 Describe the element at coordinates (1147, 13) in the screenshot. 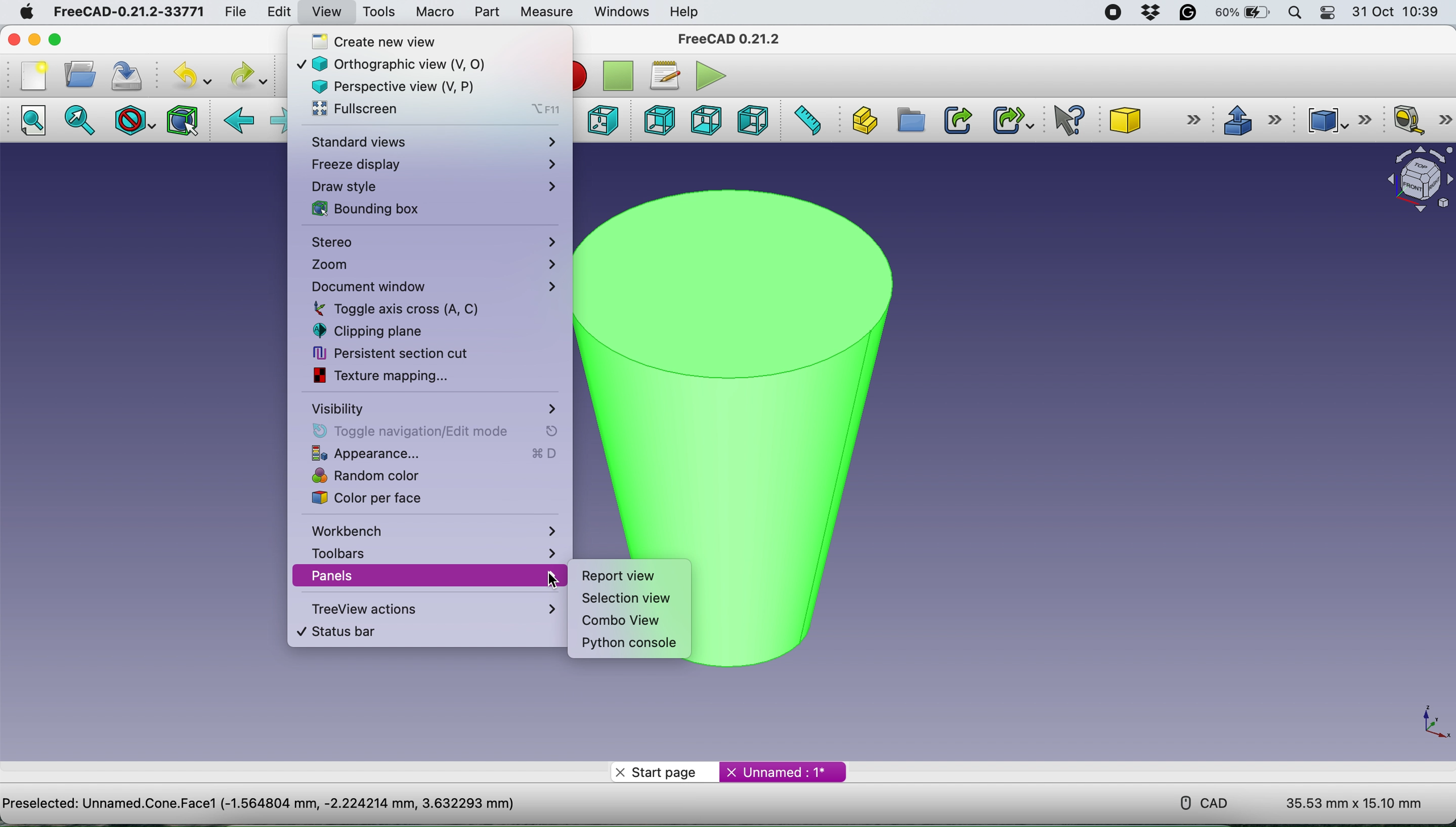

I see `dropbox` at that location.